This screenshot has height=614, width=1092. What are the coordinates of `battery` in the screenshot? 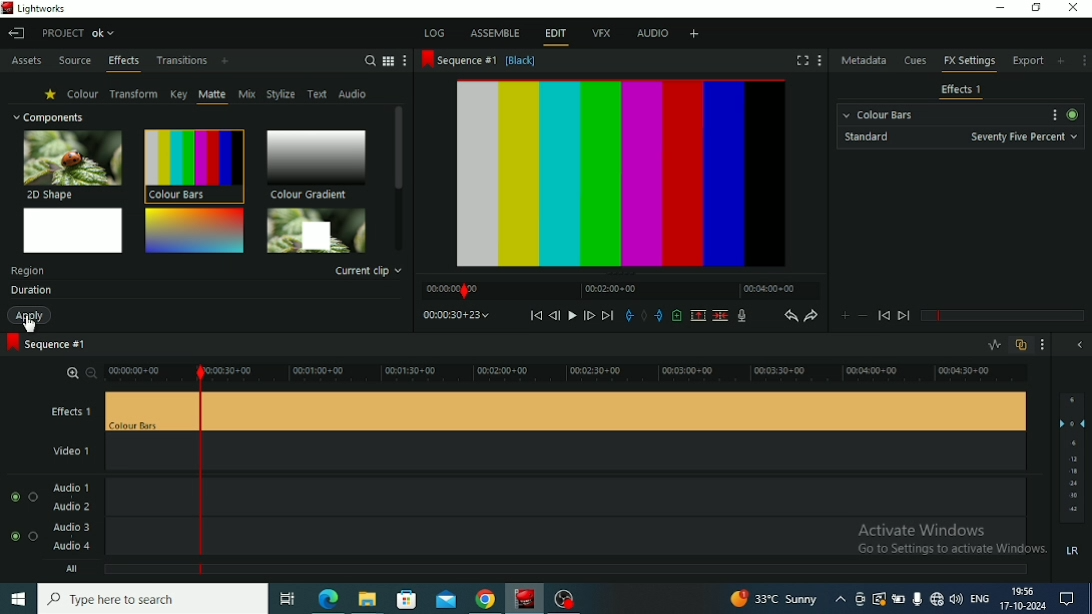 It's located at (900, 599).